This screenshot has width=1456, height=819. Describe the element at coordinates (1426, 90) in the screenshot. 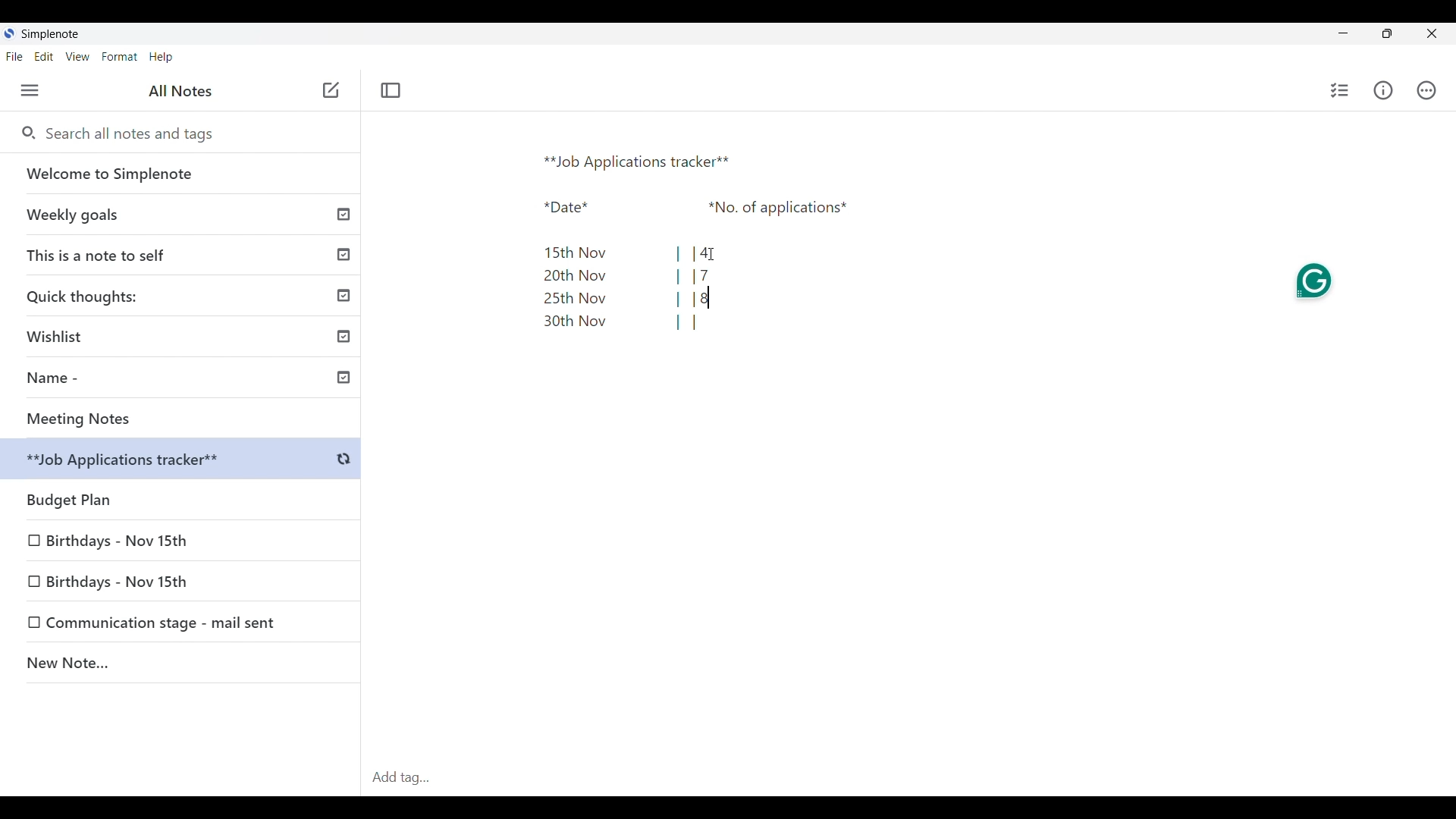

I see `Actions` at that location.